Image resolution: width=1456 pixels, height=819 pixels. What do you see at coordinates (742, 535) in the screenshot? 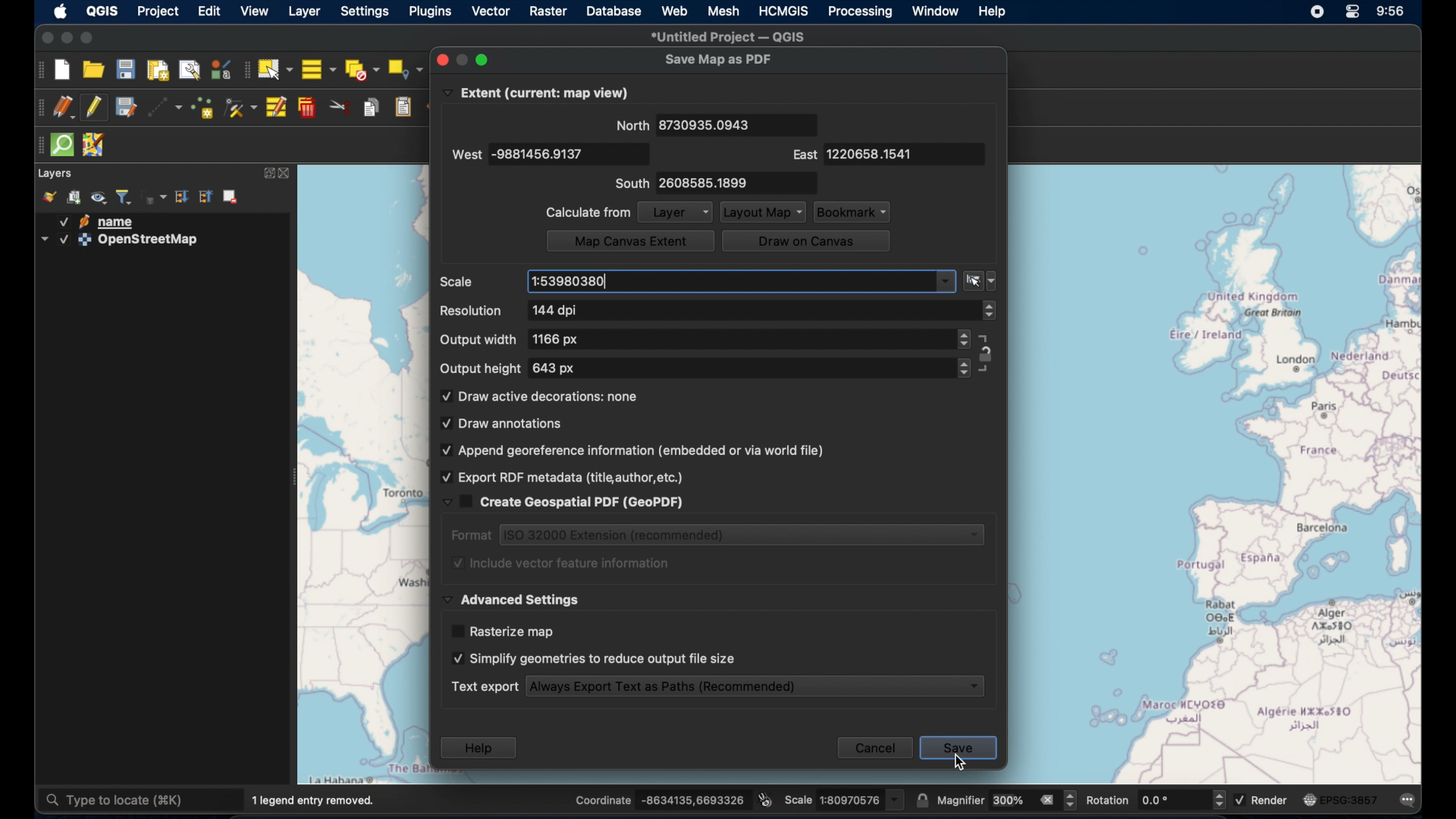
I see `iso 32000 extension (recommended)` at bounding box center [742, 535].